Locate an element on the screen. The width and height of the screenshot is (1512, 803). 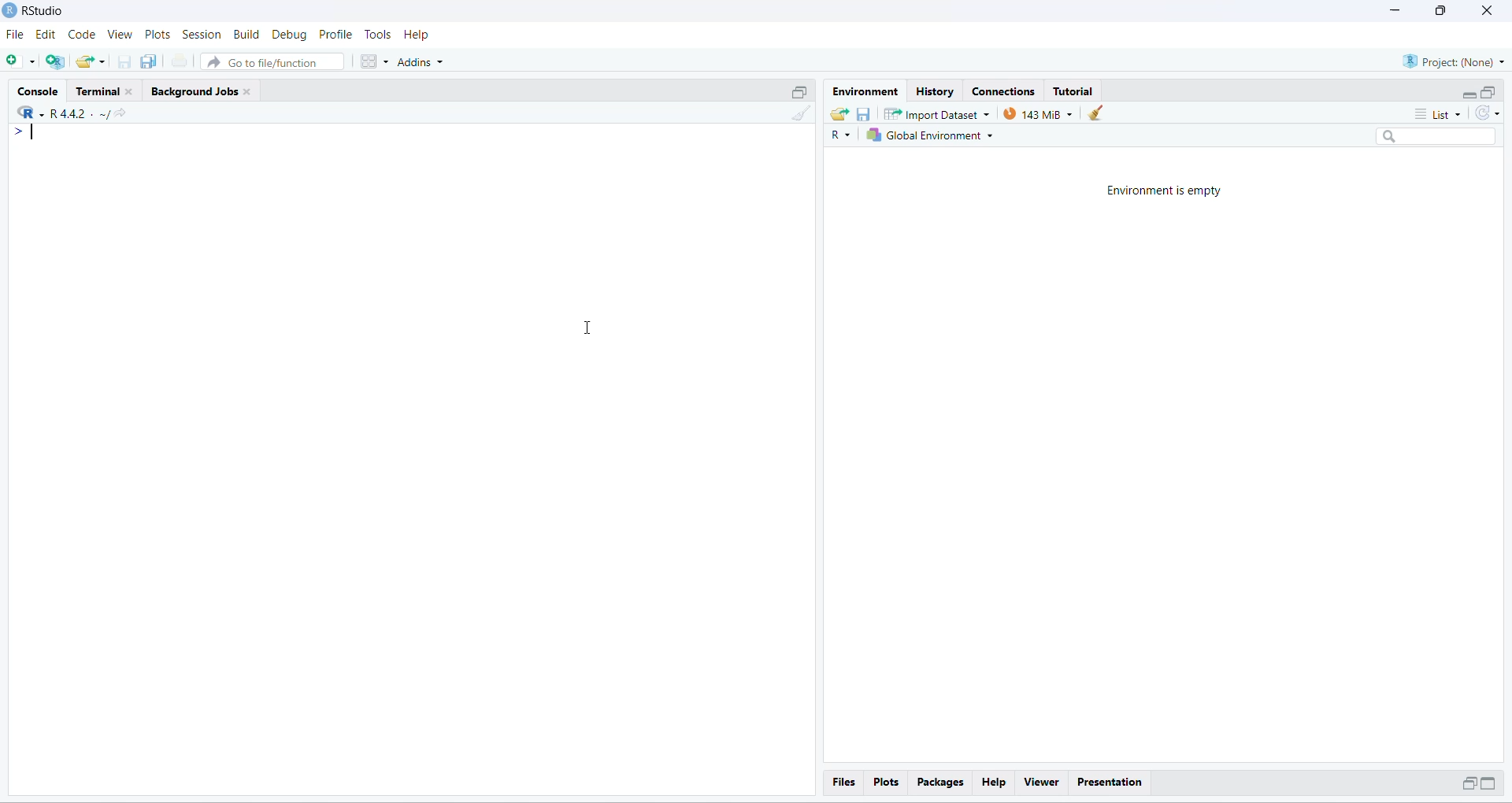
share folder is located at coordinates (839, 115).